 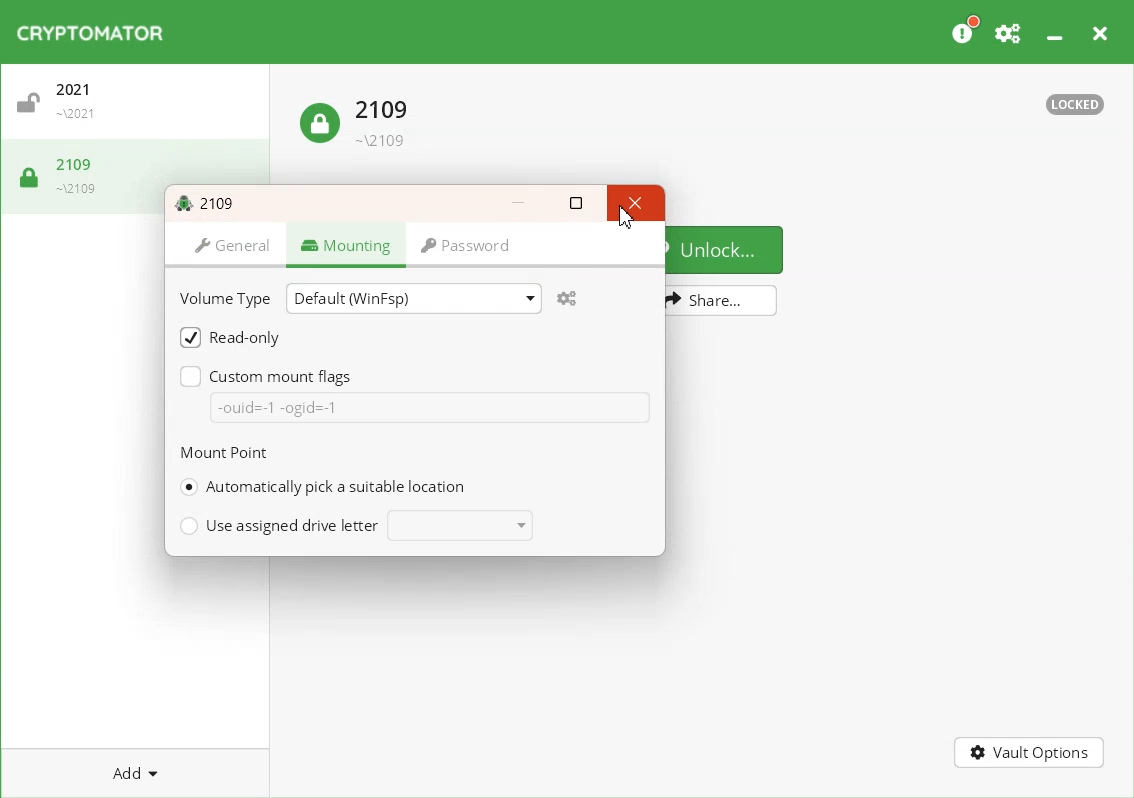 I want to click on Add, so click(x=136, y=773).